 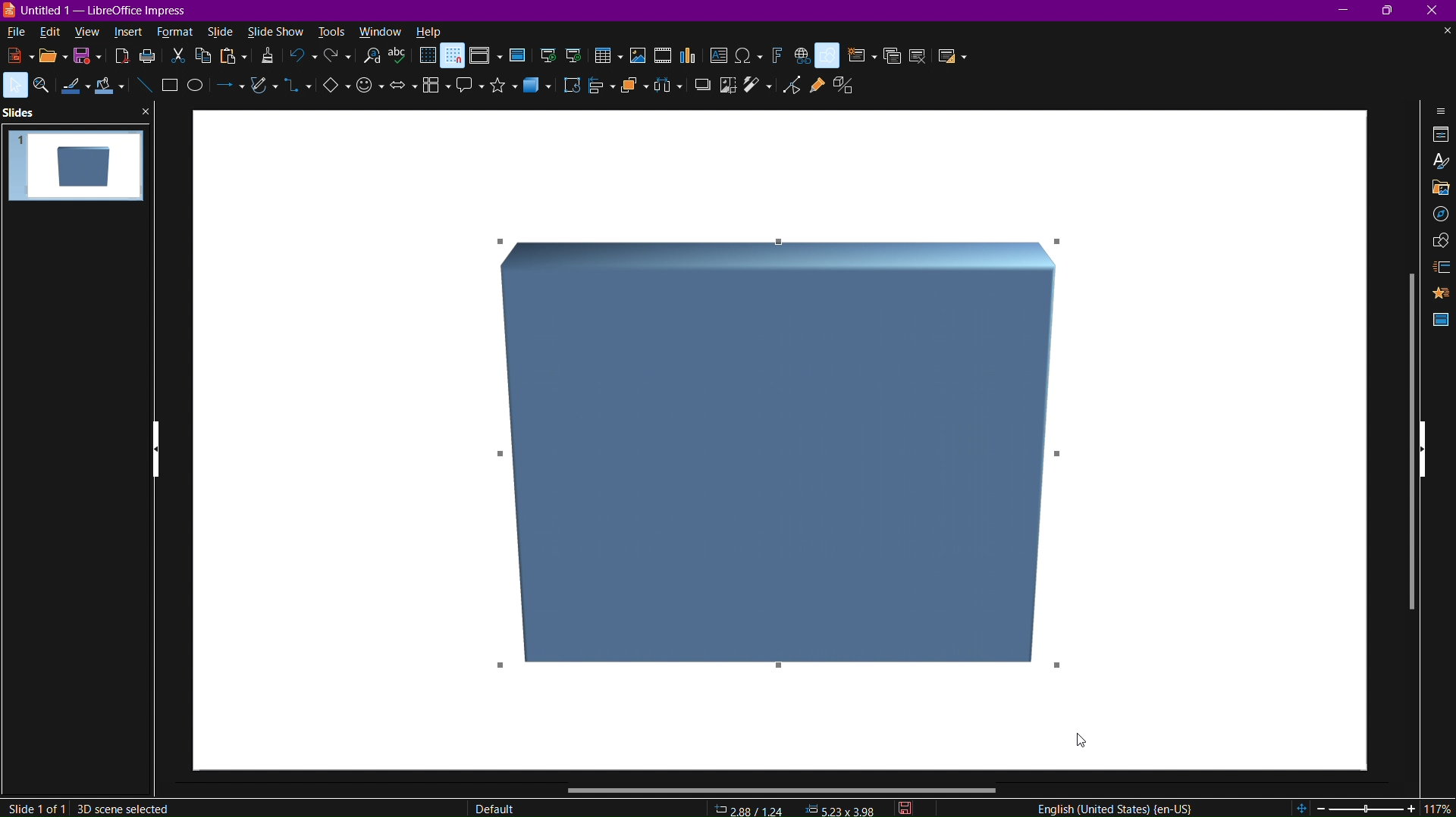 I want to click on Close, so click(x=1436, y=11).